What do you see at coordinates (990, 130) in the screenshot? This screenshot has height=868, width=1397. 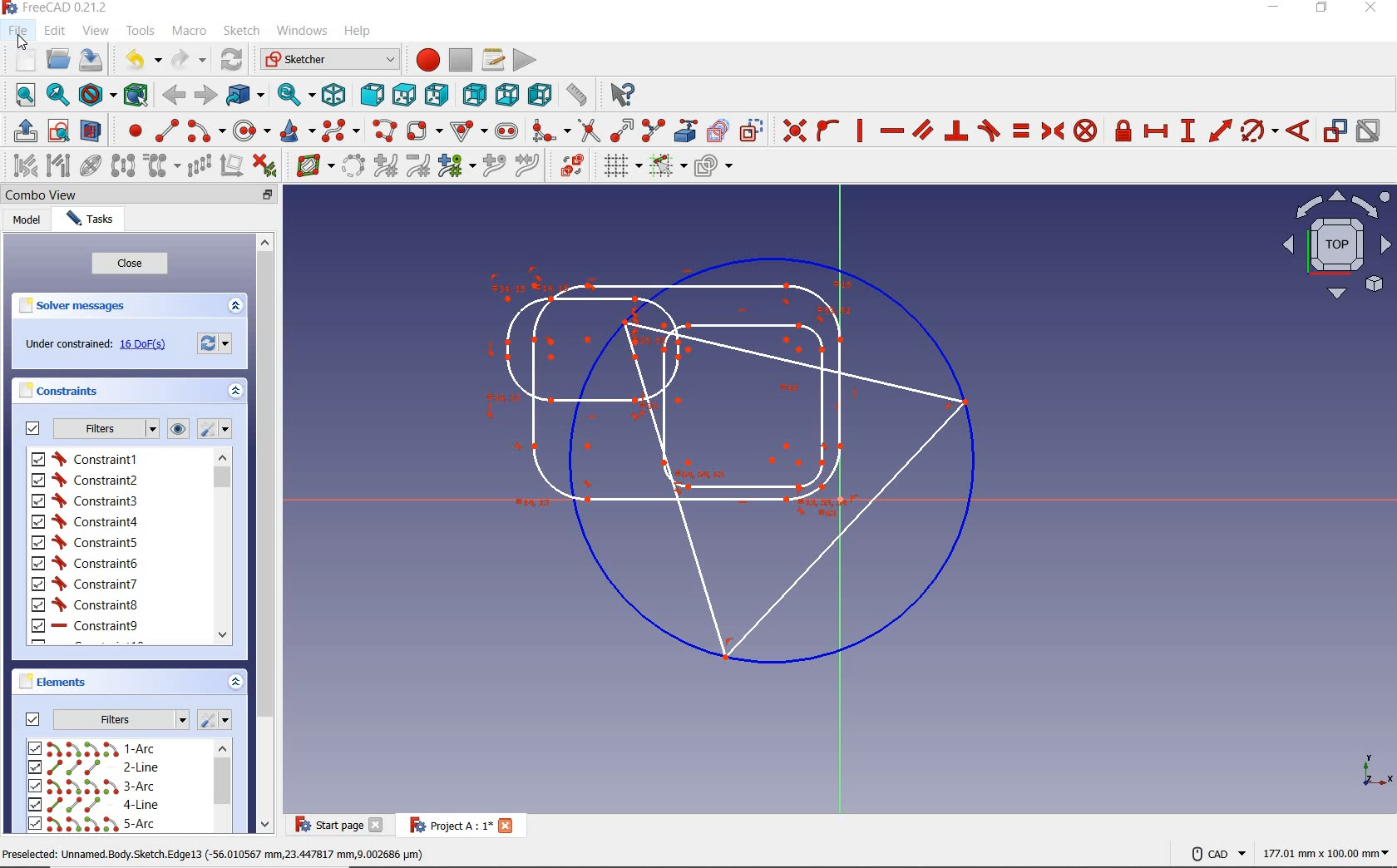 I see `constrain tangent` at bounding box center [990, 130].